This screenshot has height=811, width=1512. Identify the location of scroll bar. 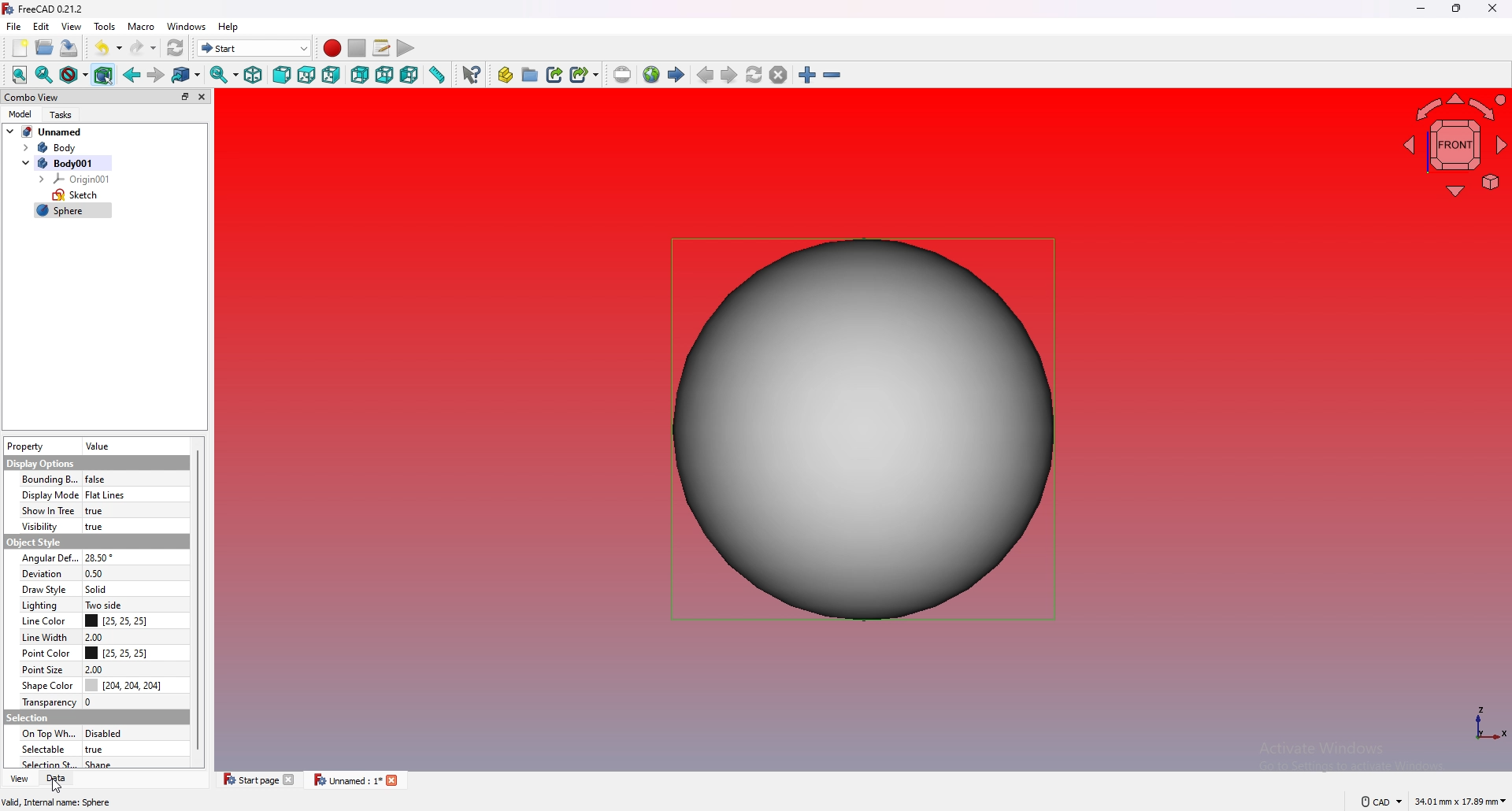
(198, 598).